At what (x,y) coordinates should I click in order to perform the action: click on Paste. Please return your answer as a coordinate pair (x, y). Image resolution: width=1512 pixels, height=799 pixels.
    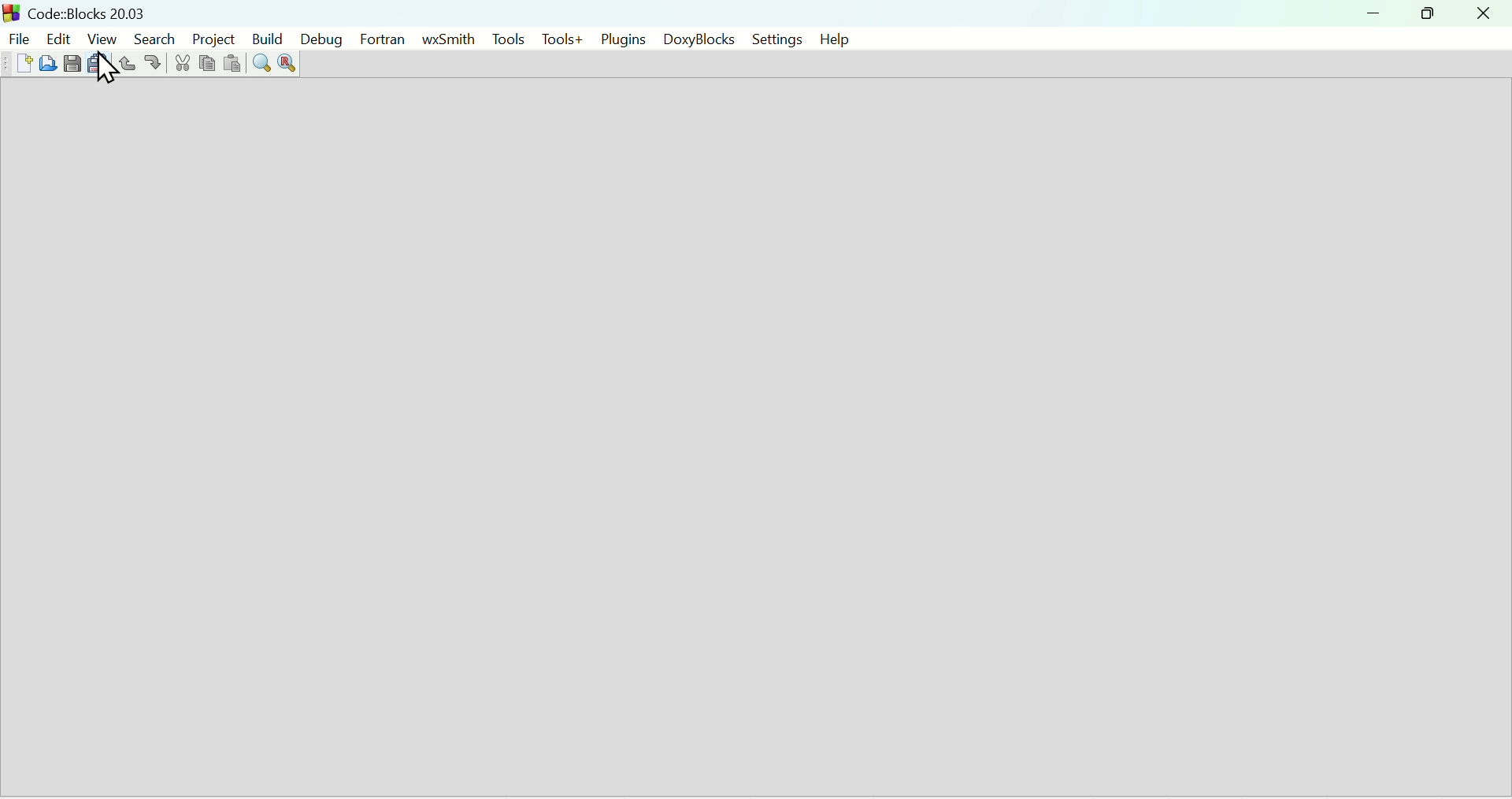
    Looking at the image, I should click on (230, 65).